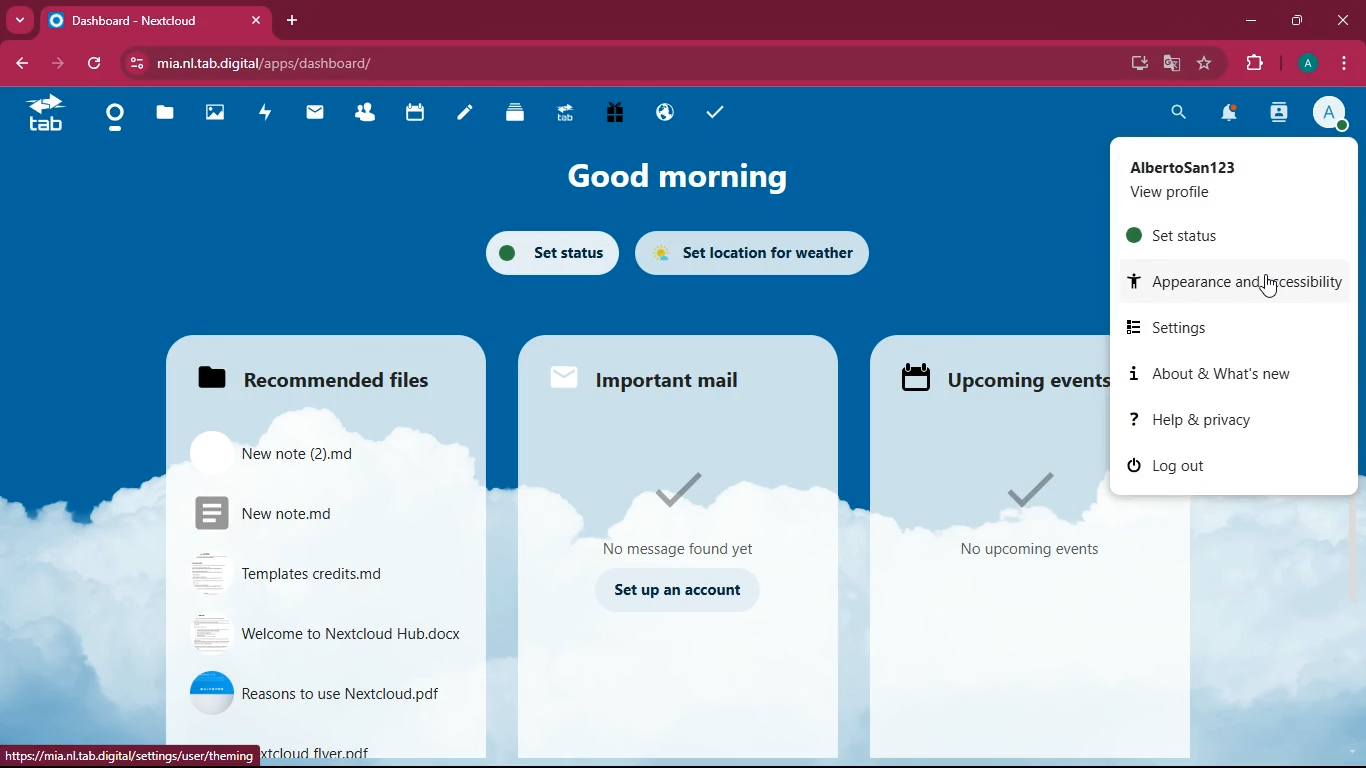 The height and width of the screenshot is (768, 1366). Describe the element at coordinates (1231, 115) in the screenshot. I see `notifications` at that location.